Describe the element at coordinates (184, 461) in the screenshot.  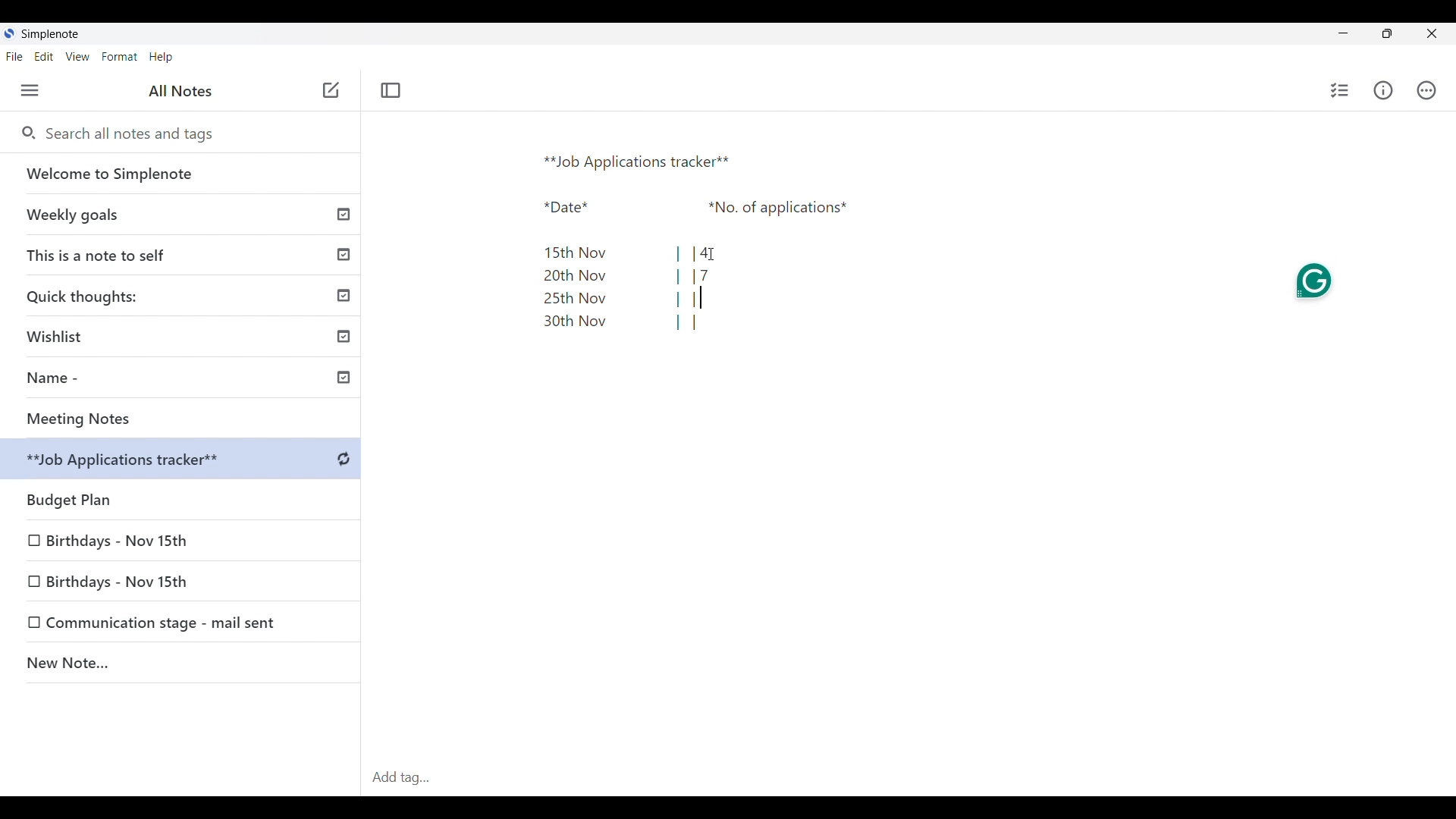
I see `Budget Plan` at that location.